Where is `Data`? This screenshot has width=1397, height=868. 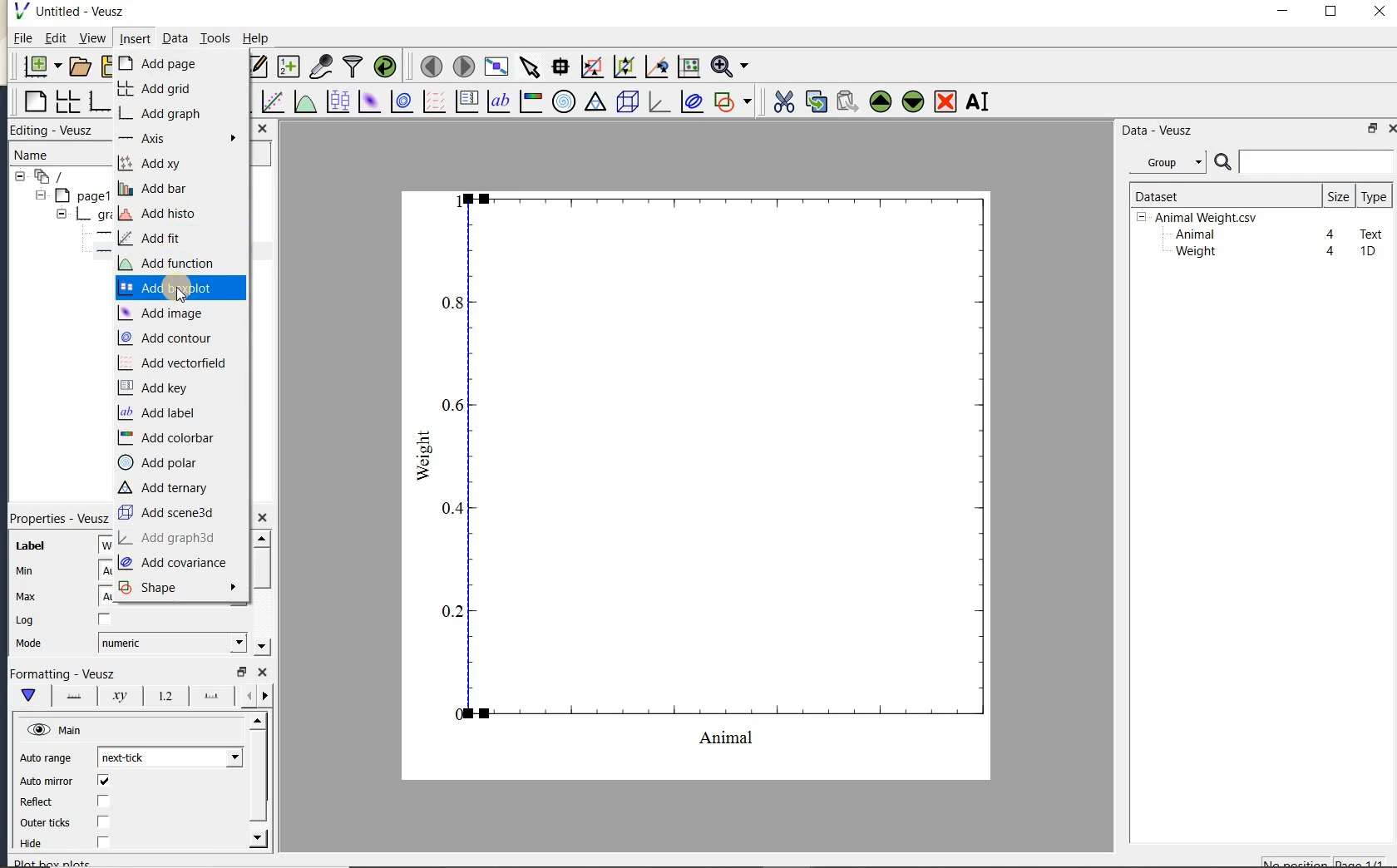
Data is located at coordinates (175, 37).